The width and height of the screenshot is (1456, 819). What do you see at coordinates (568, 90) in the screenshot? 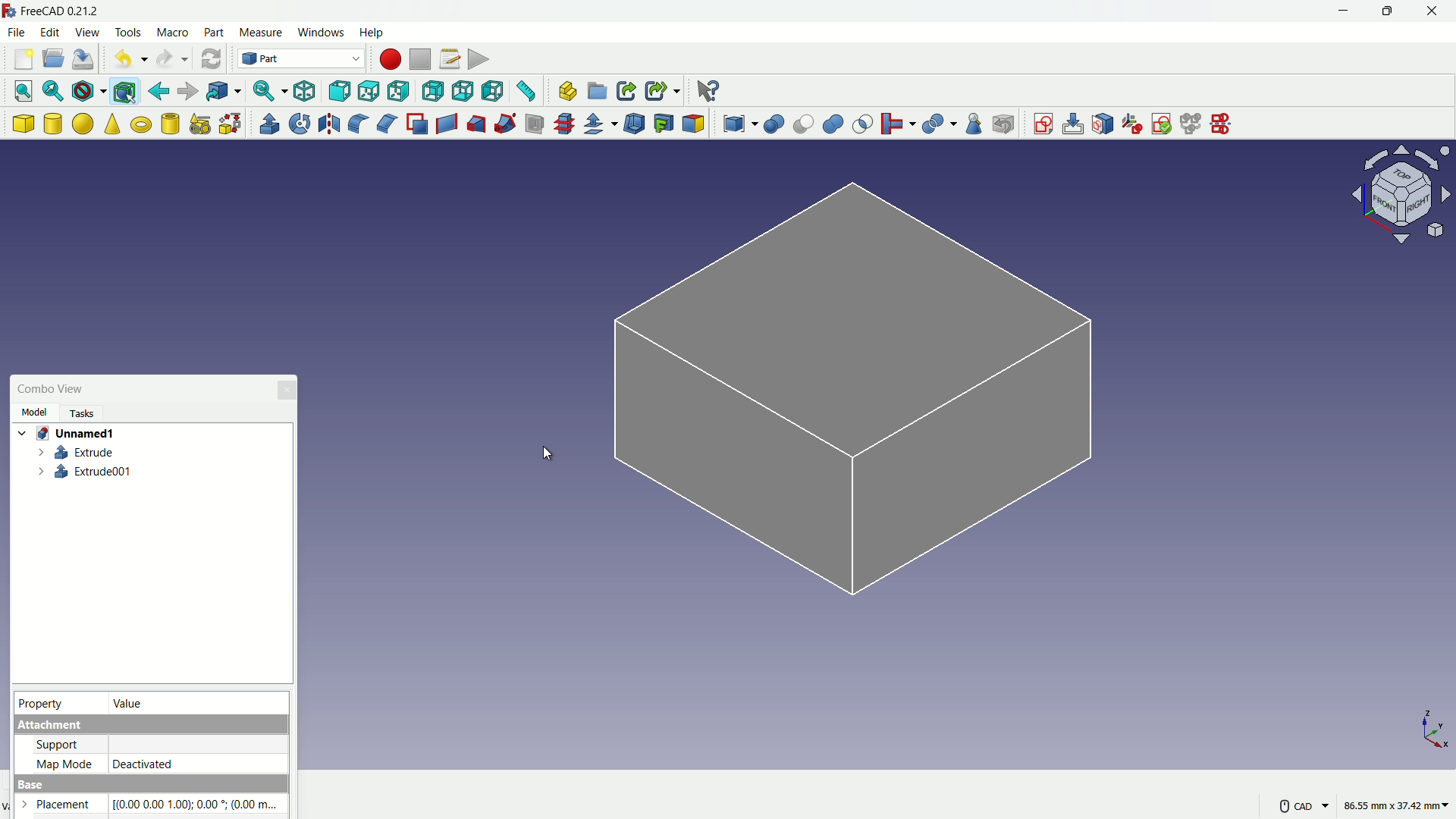
I see `create part` at bounding box center [568, 90].